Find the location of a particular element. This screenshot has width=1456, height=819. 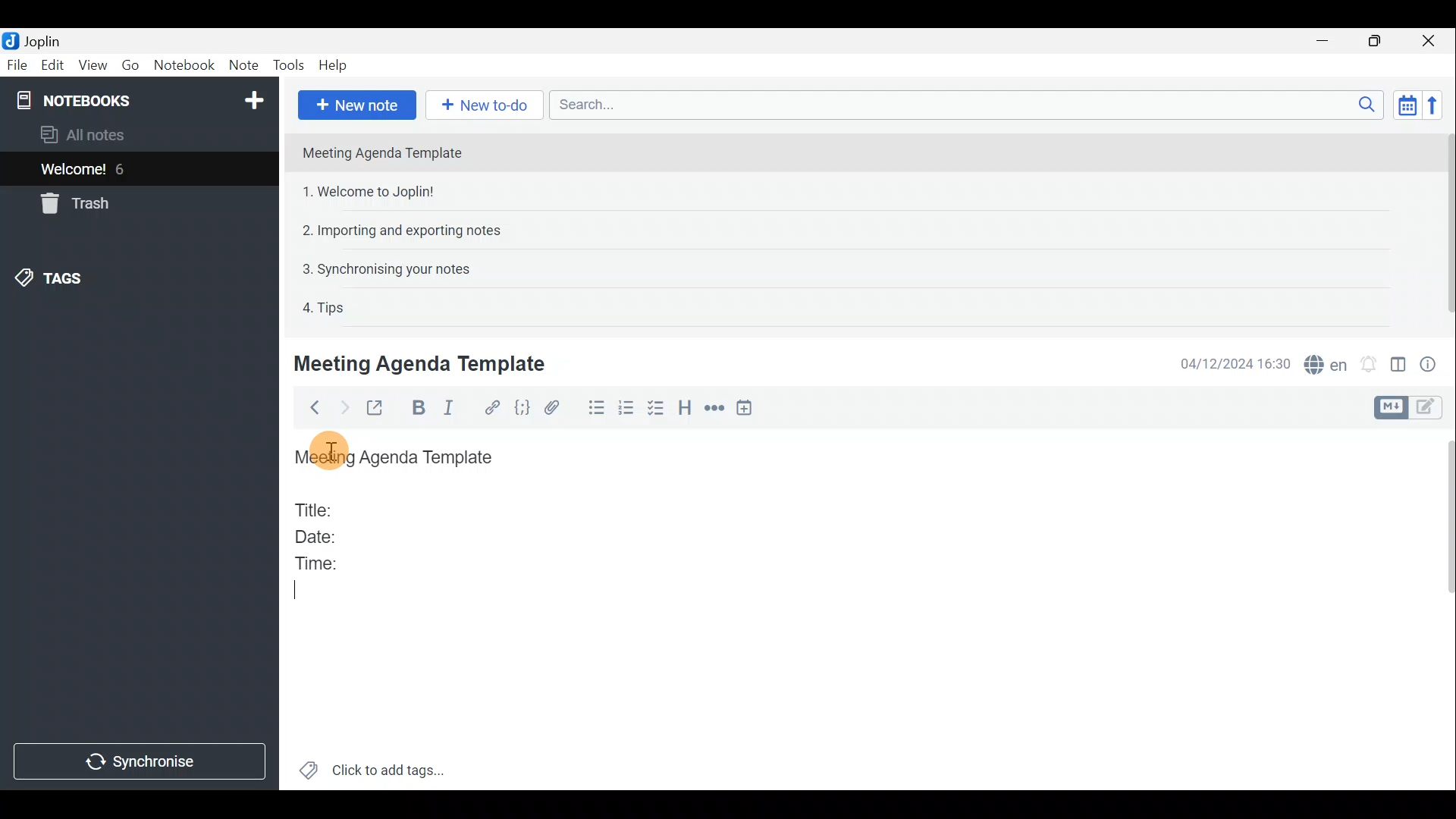

View is located at coordinates (90, 67).